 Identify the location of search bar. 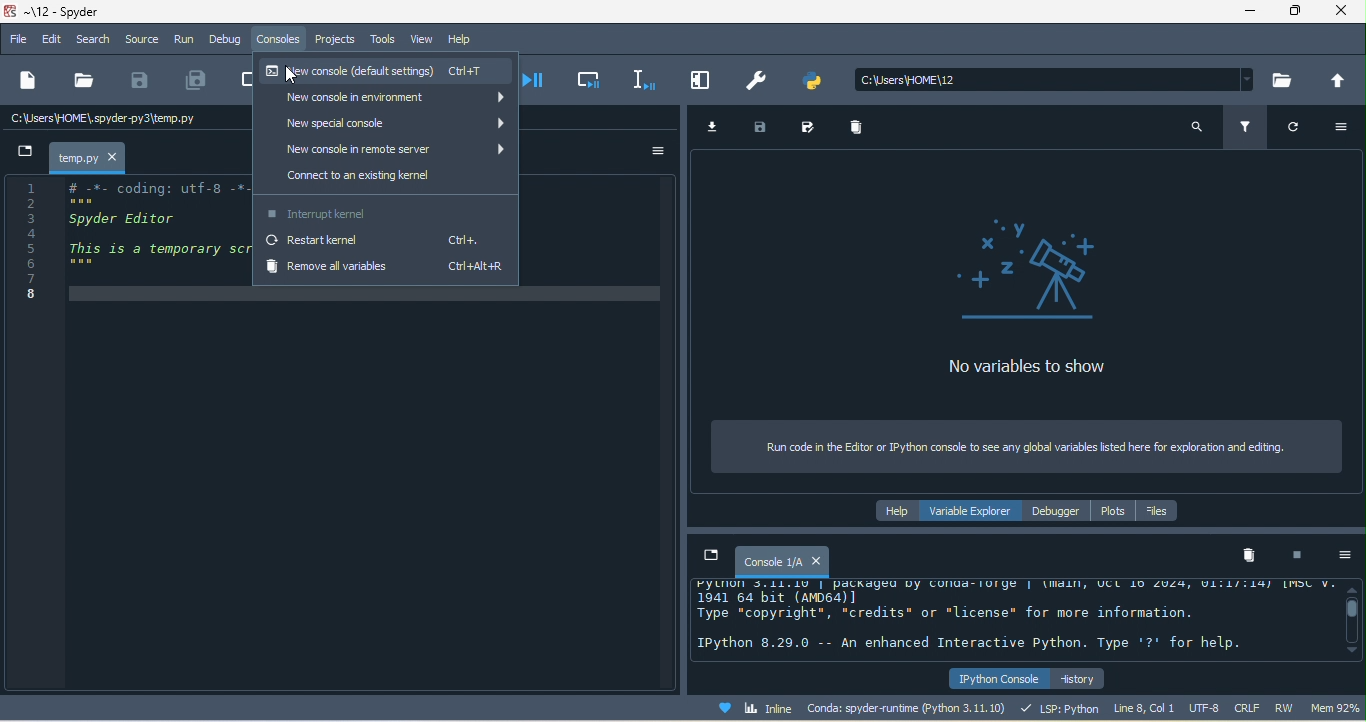
(1057, 79).